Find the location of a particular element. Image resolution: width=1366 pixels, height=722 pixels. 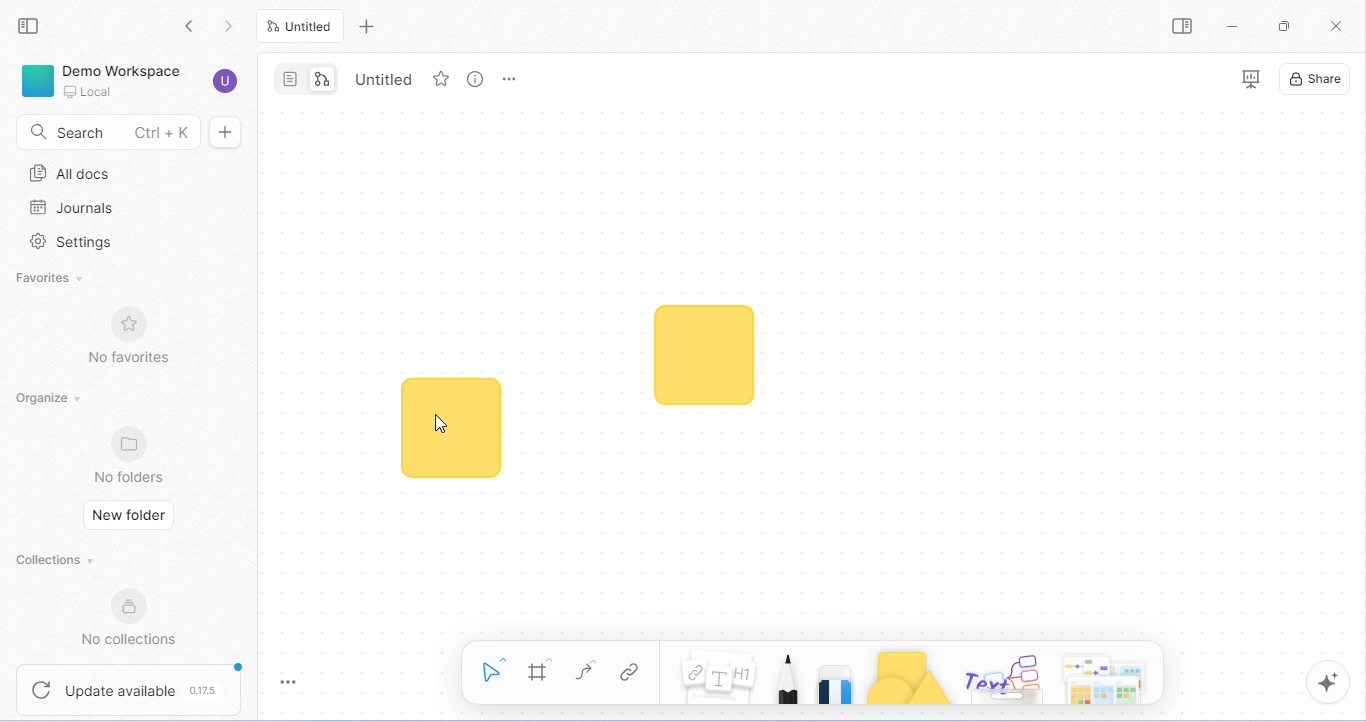

minimize is located at coordinates (1232, 25).